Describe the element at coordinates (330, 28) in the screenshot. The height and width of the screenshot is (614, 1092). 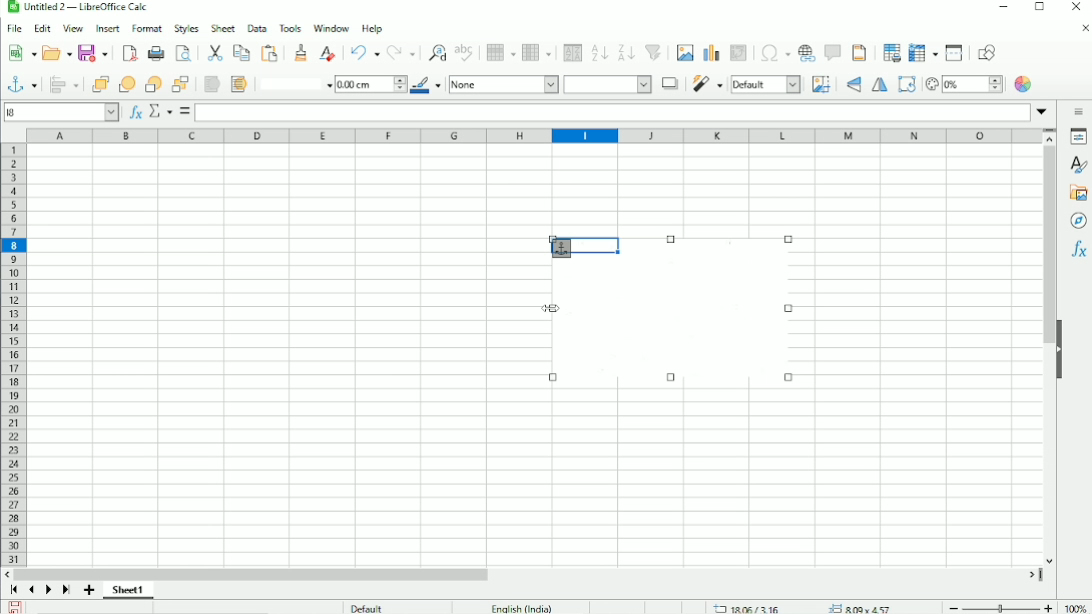
I see `Window` at that location.